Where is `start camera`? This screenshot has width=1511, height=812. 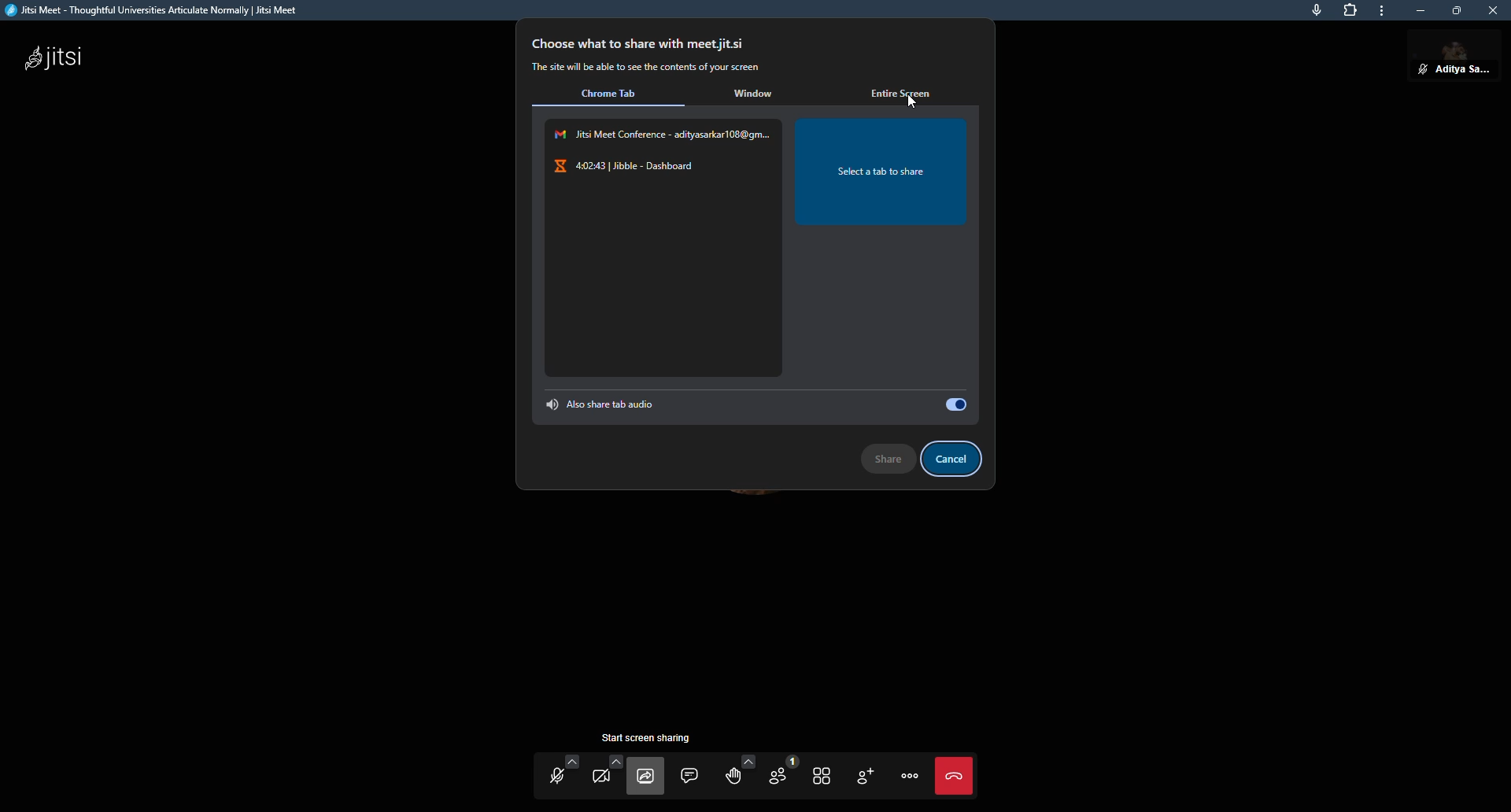
start camera is located at coordinates (605, 777).